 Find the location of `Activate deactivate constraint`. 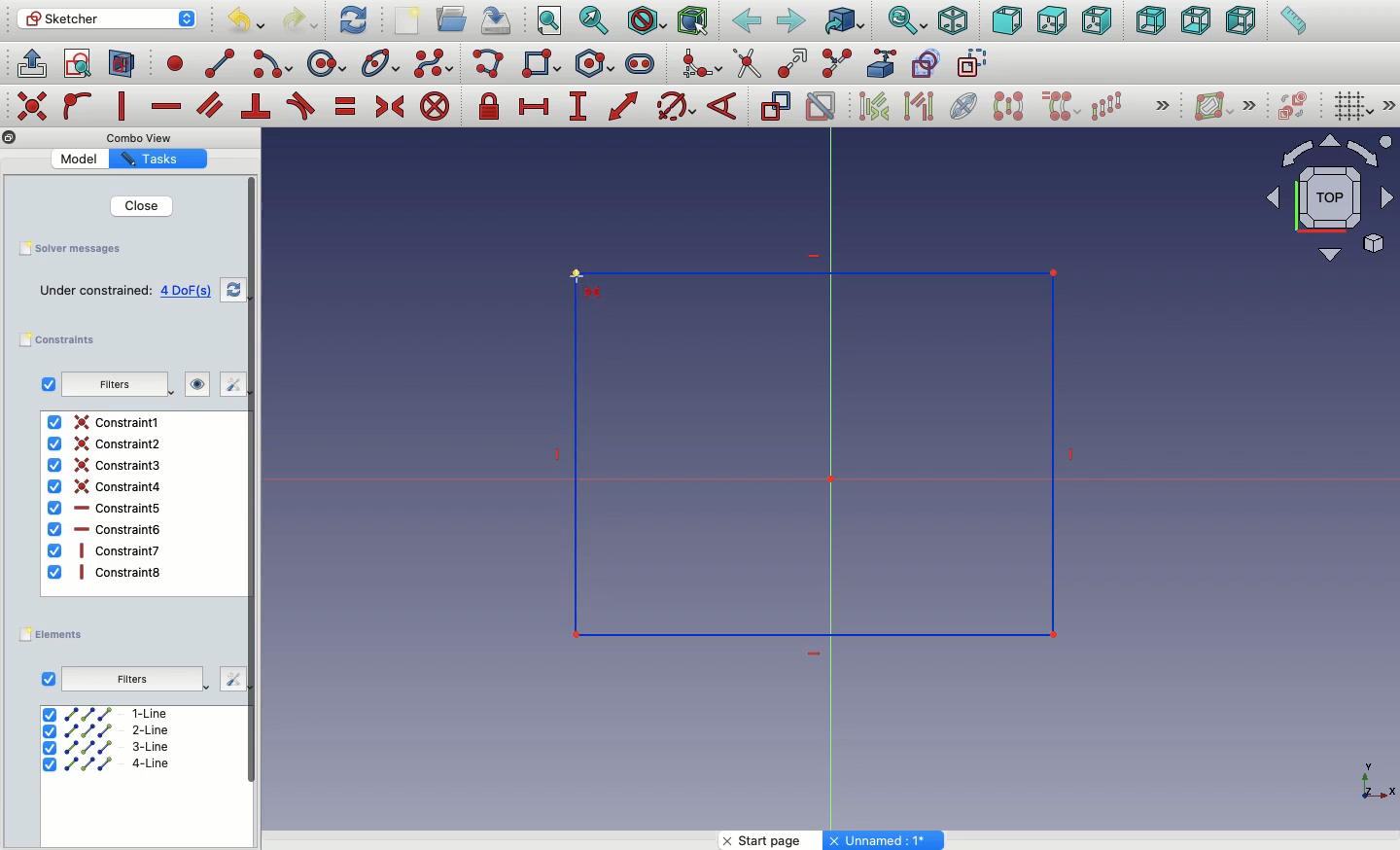

Activate deactivate constraint is located at coordinates (822, 108).